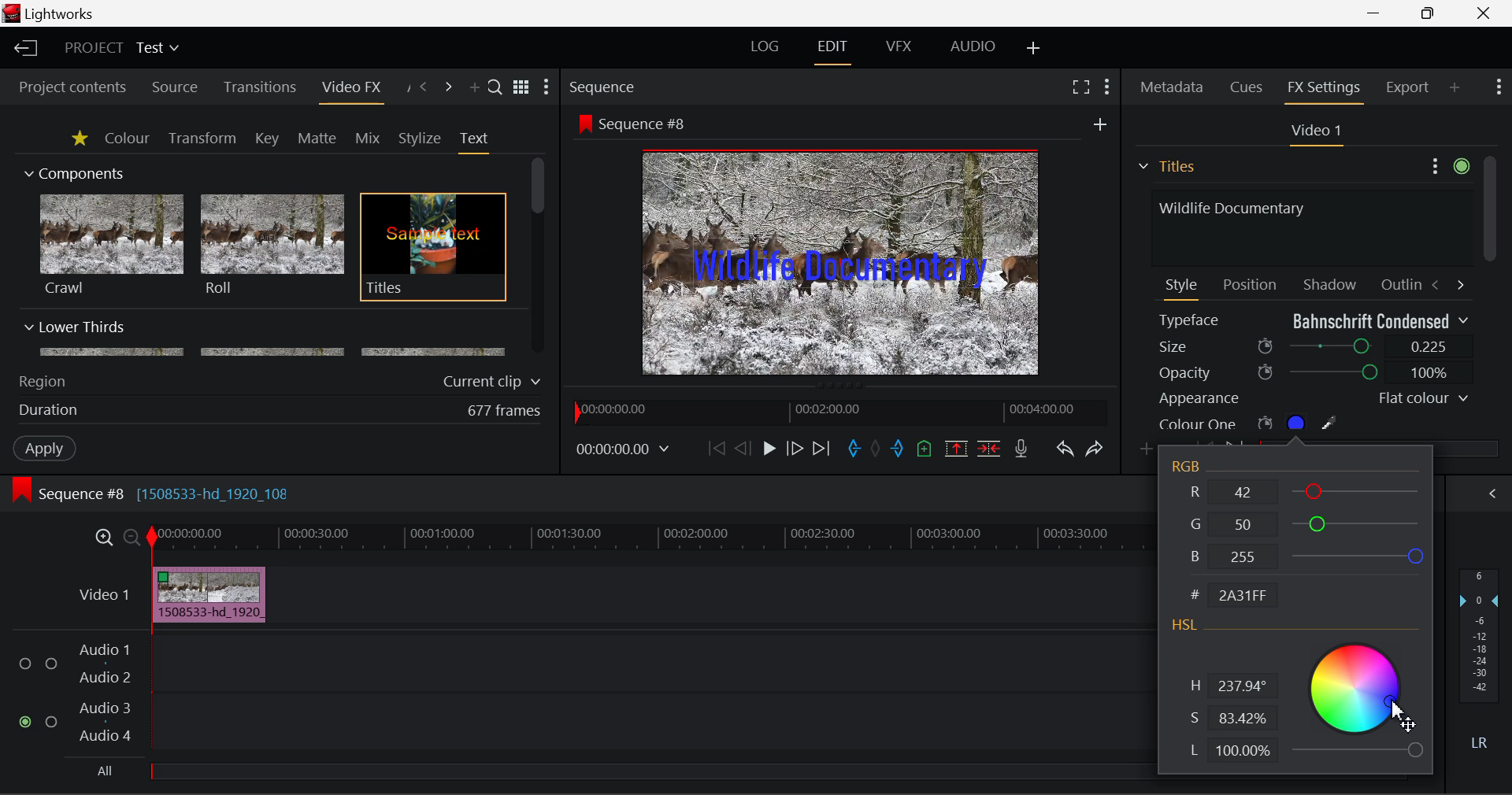 This screenshot has width=1512, height=795. I want to click on Mark In, so click(854, 451).